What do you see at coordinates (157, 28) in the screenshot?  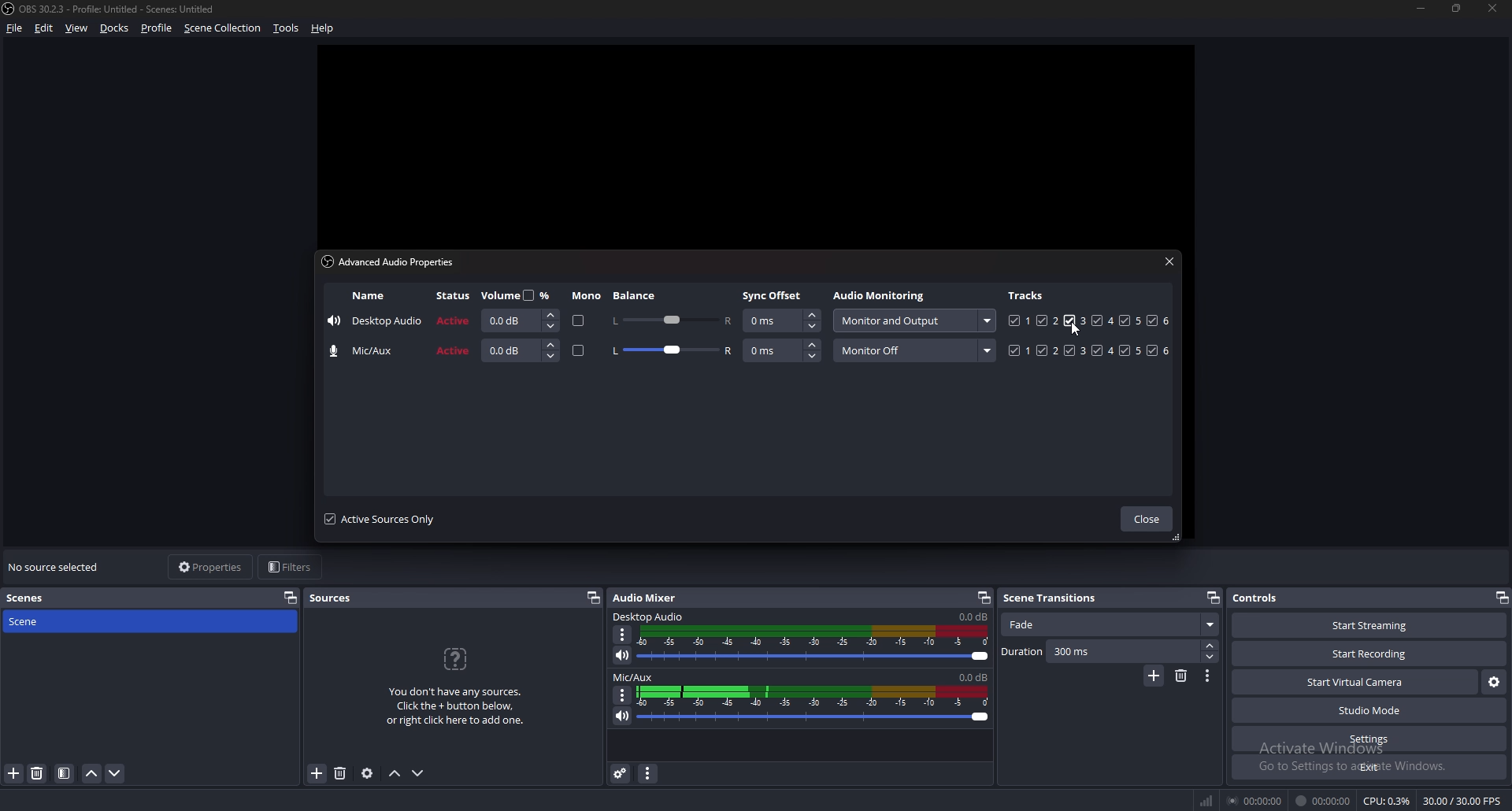 I see `profile` at bounding box center [157, 28].